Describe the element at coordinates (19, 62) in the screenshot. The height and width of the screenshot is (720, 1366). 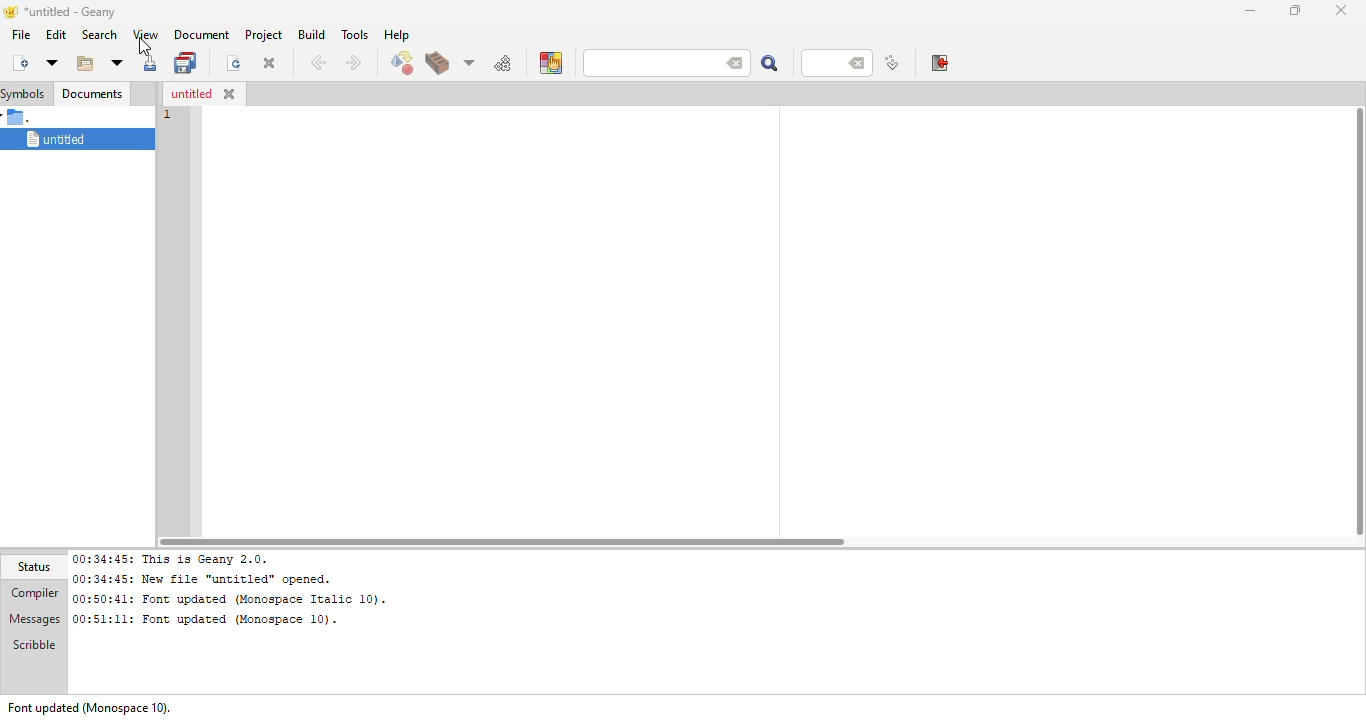
I see `create new` at that location.